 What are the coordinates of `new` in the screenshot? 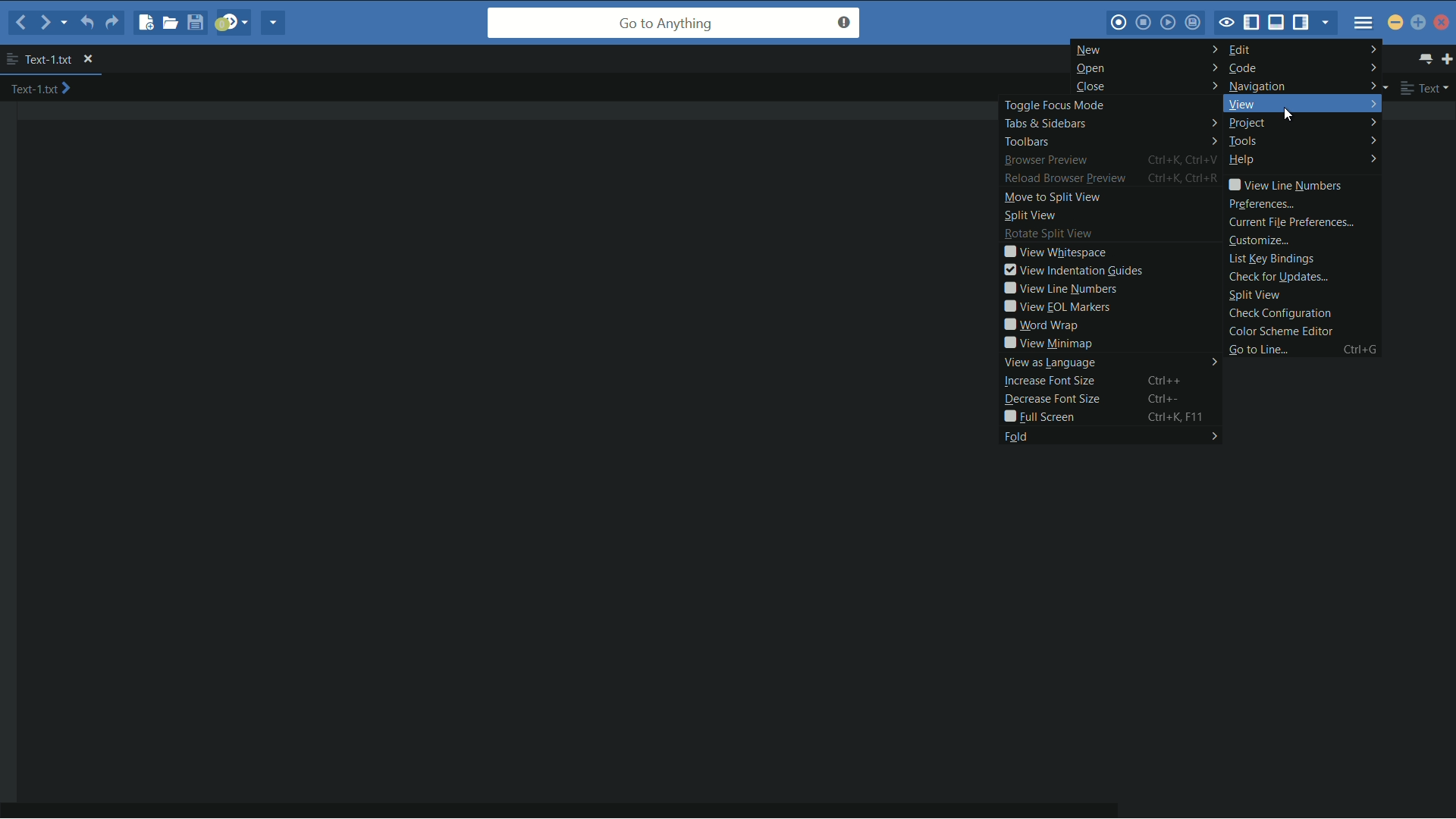 It's located at (1147, 49).